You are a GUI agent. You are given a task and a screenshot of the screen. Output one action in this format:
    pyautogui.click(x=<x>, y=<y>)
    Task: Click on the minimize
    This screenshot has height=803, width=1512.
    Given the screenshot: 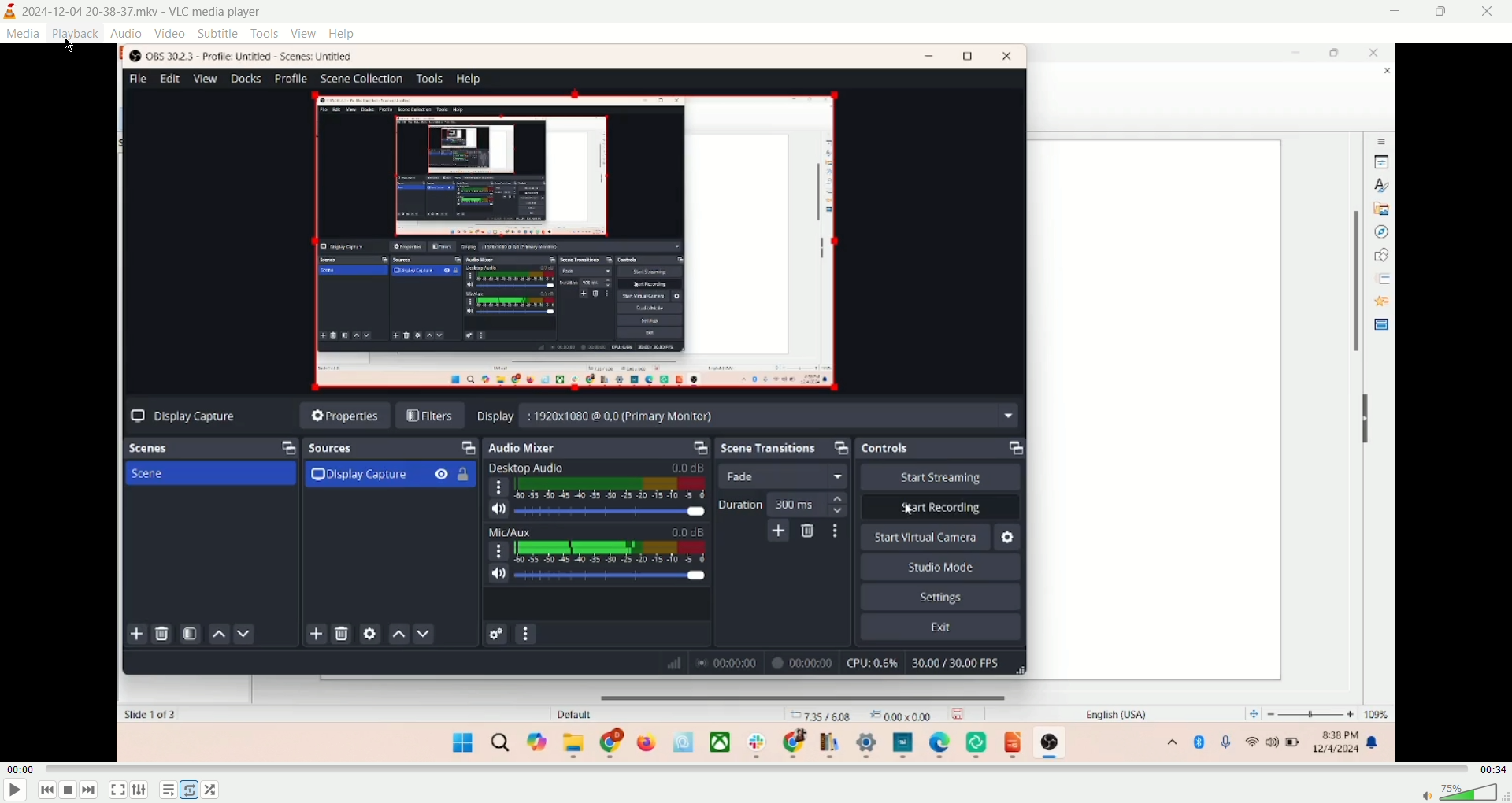 What is the action you would take?
    pyautogui.click(x=1393, y=13)
    